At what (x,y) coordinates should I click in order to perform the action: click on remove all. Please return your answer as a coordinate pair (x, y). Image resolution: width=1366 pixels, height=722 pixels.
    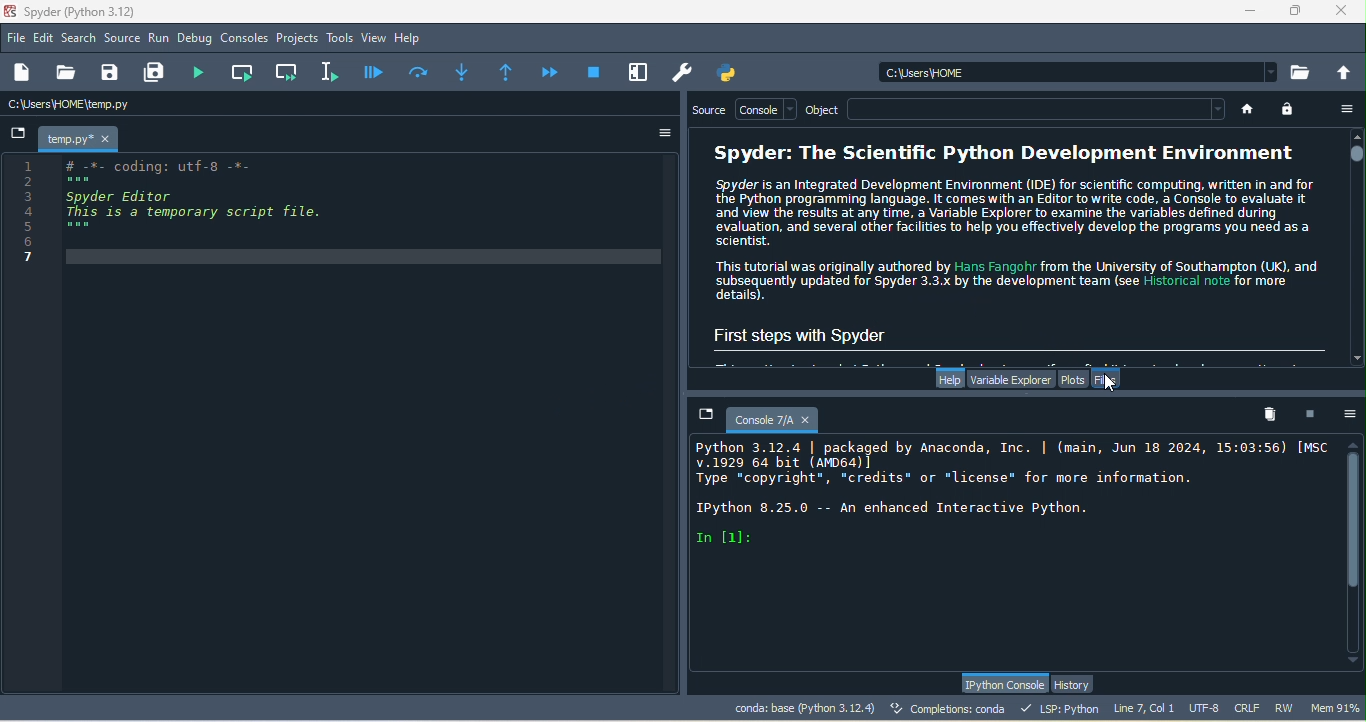
    Looking at the image, I should click on (1275, 415).